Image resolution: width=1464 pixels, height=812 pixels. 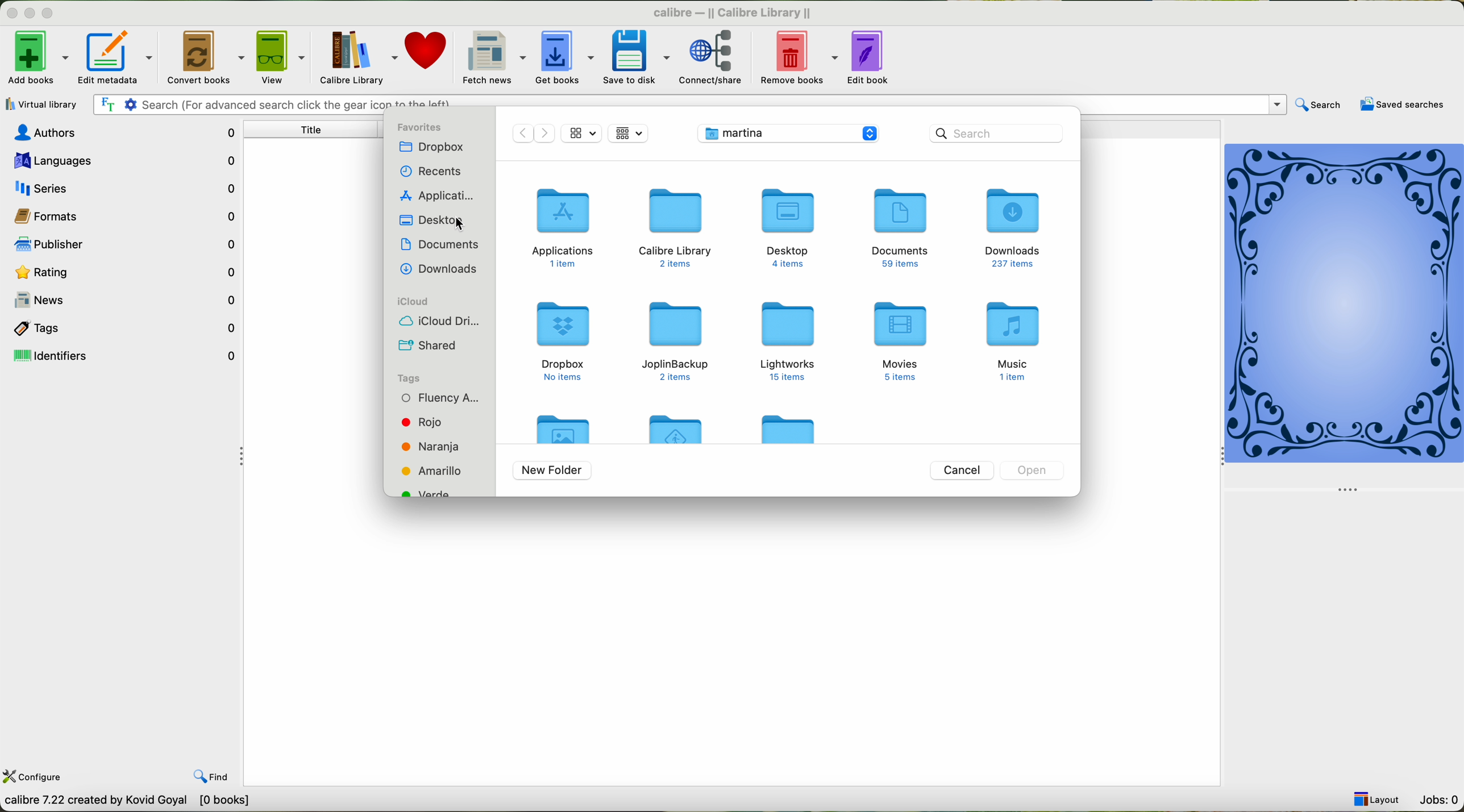 I want to click on publisher, so click(x=120, y=244).